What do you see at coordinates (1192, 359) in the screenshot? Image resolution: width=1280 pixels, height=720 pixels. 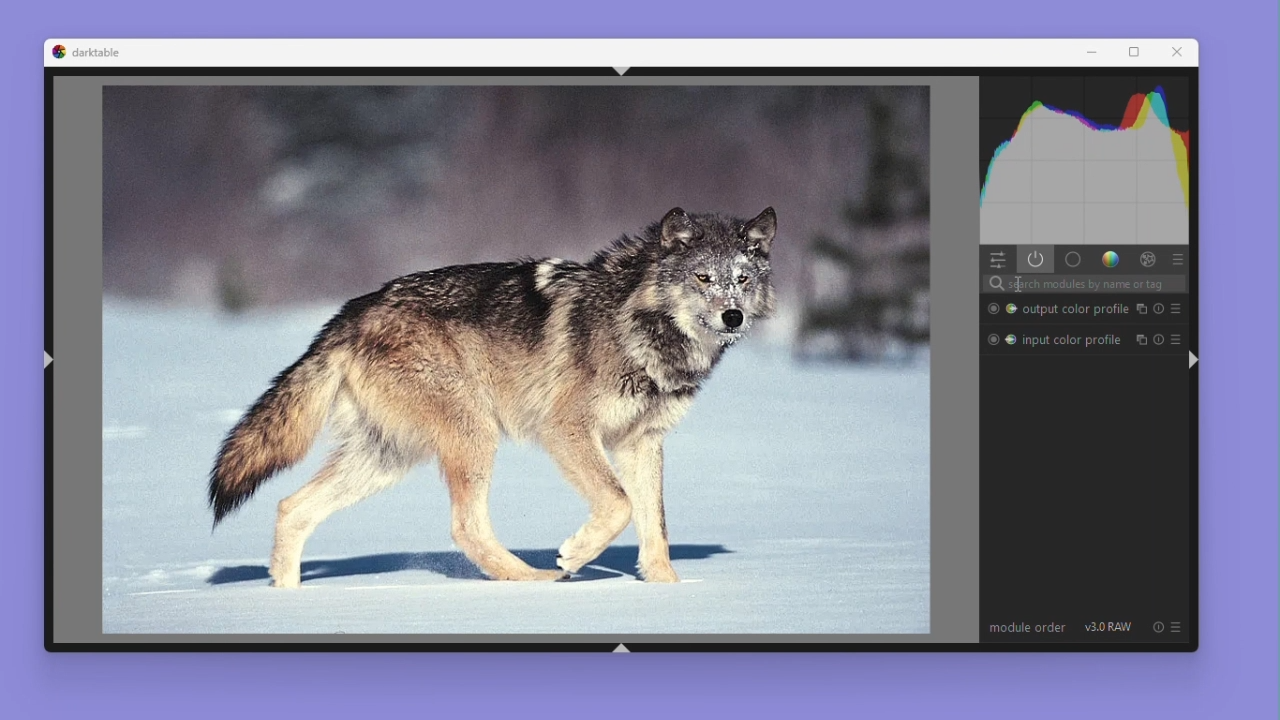 I see `shift+ctrl+r` at bounding box center [1192, 359].